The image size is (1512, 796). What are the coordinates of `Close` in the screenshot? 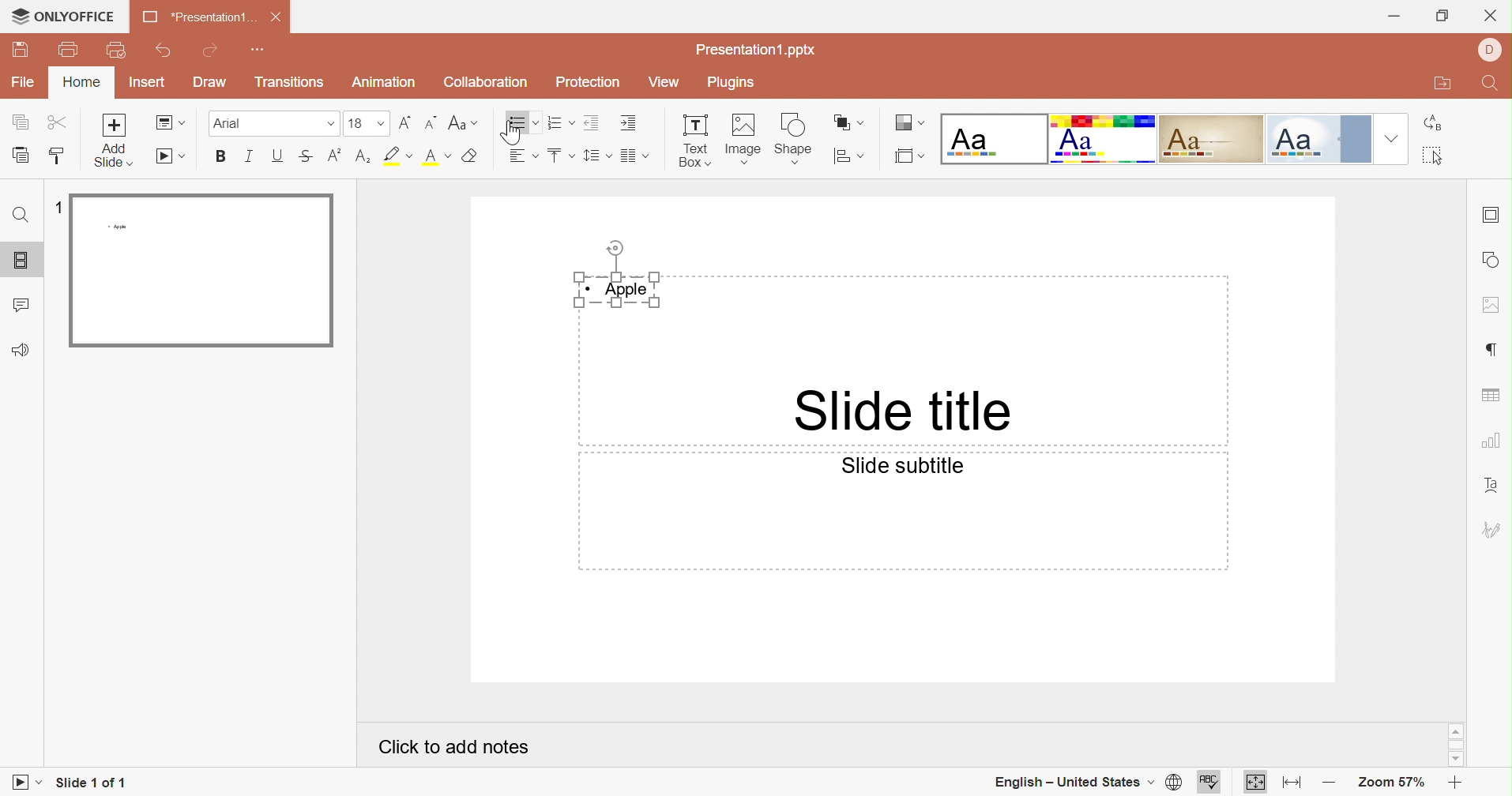 It's located at (1491, 14).